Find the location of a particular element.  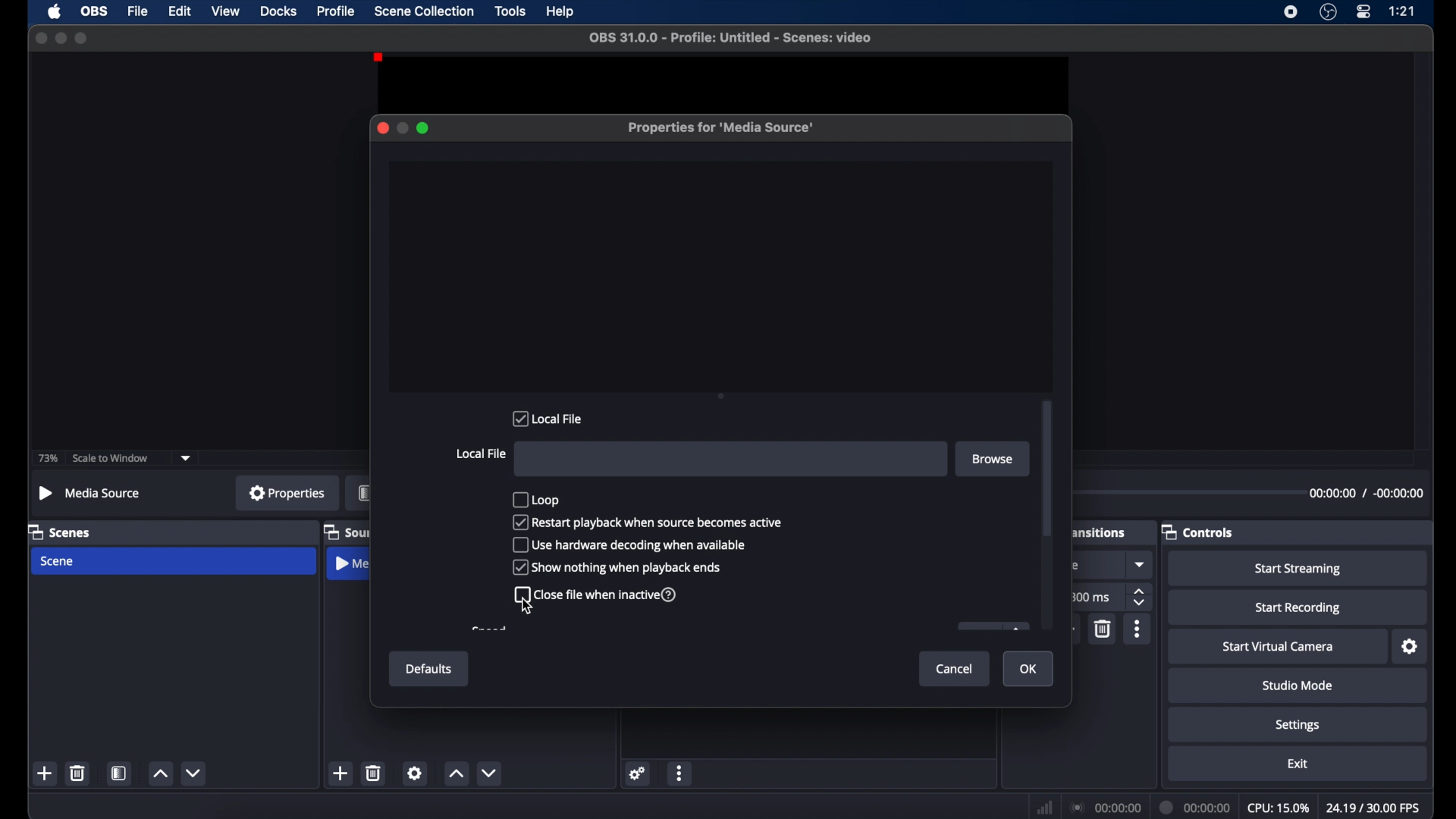

more options is located at coordinates (681, 774).